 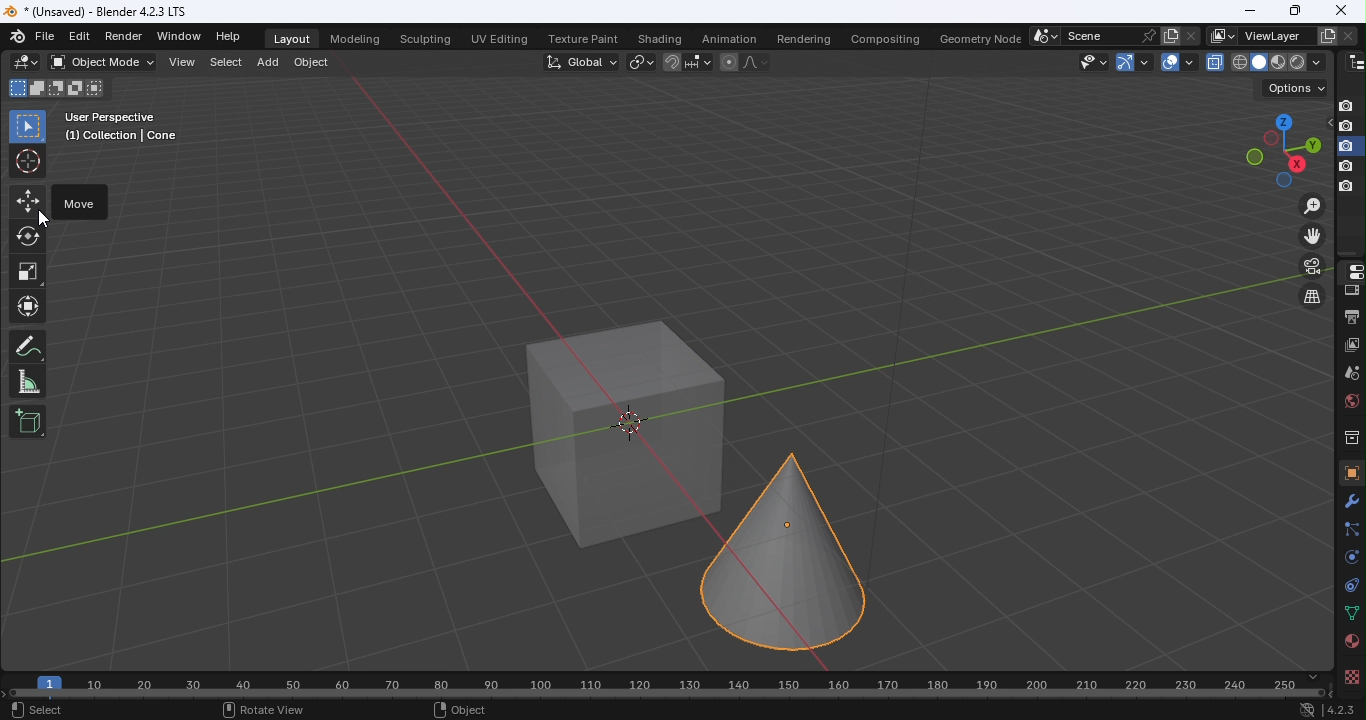 I want to click on Mode, so click(x=56, y=88).